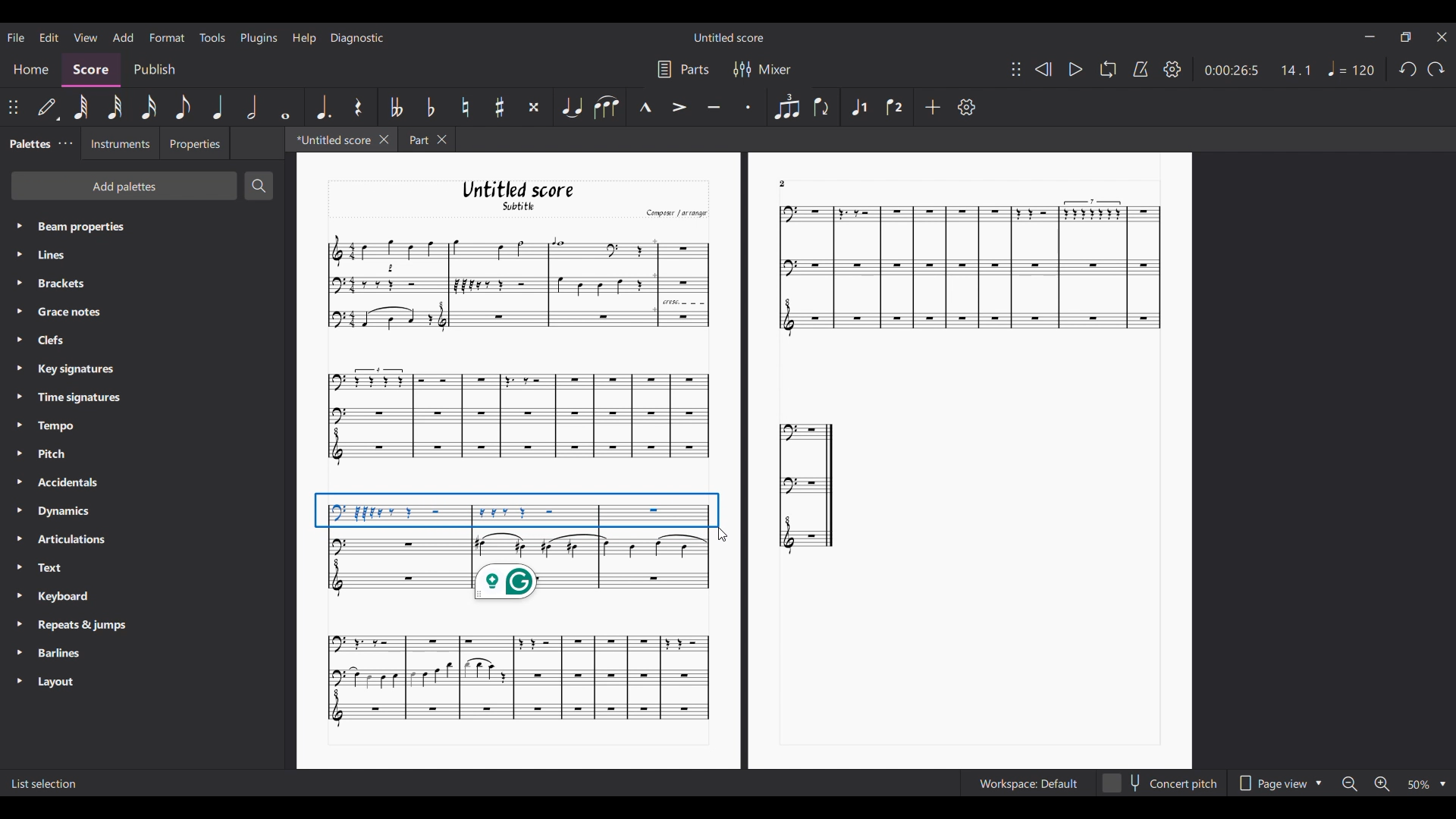 The width and height of the screenshot is (1456, 819). What do you see at coordinates (81, 107) in the screenshot?
I see `64th note` at bounding box center [81, 107].